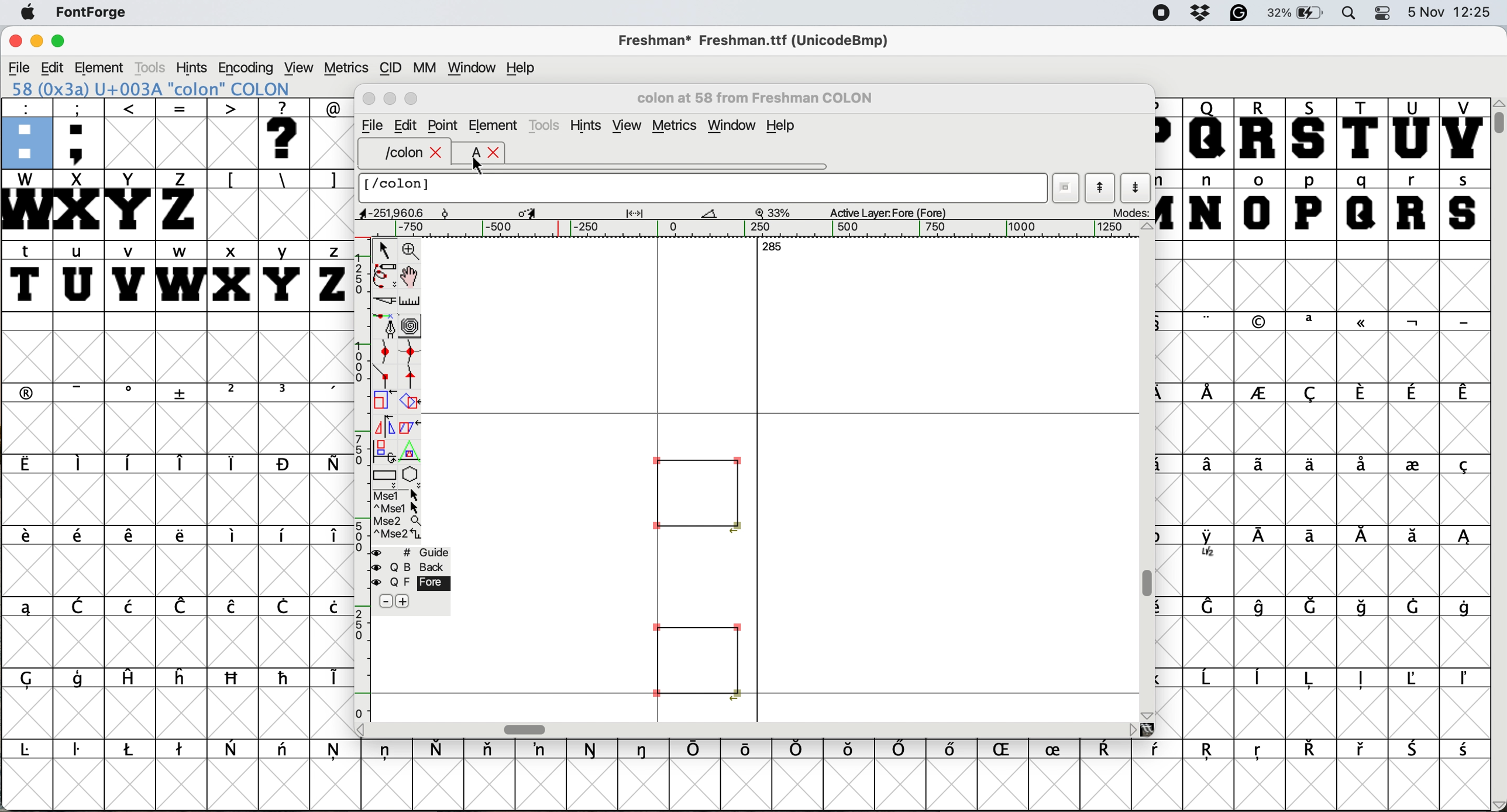 The image size is (1507, 812). I want to click on cid, so click(389, 67).